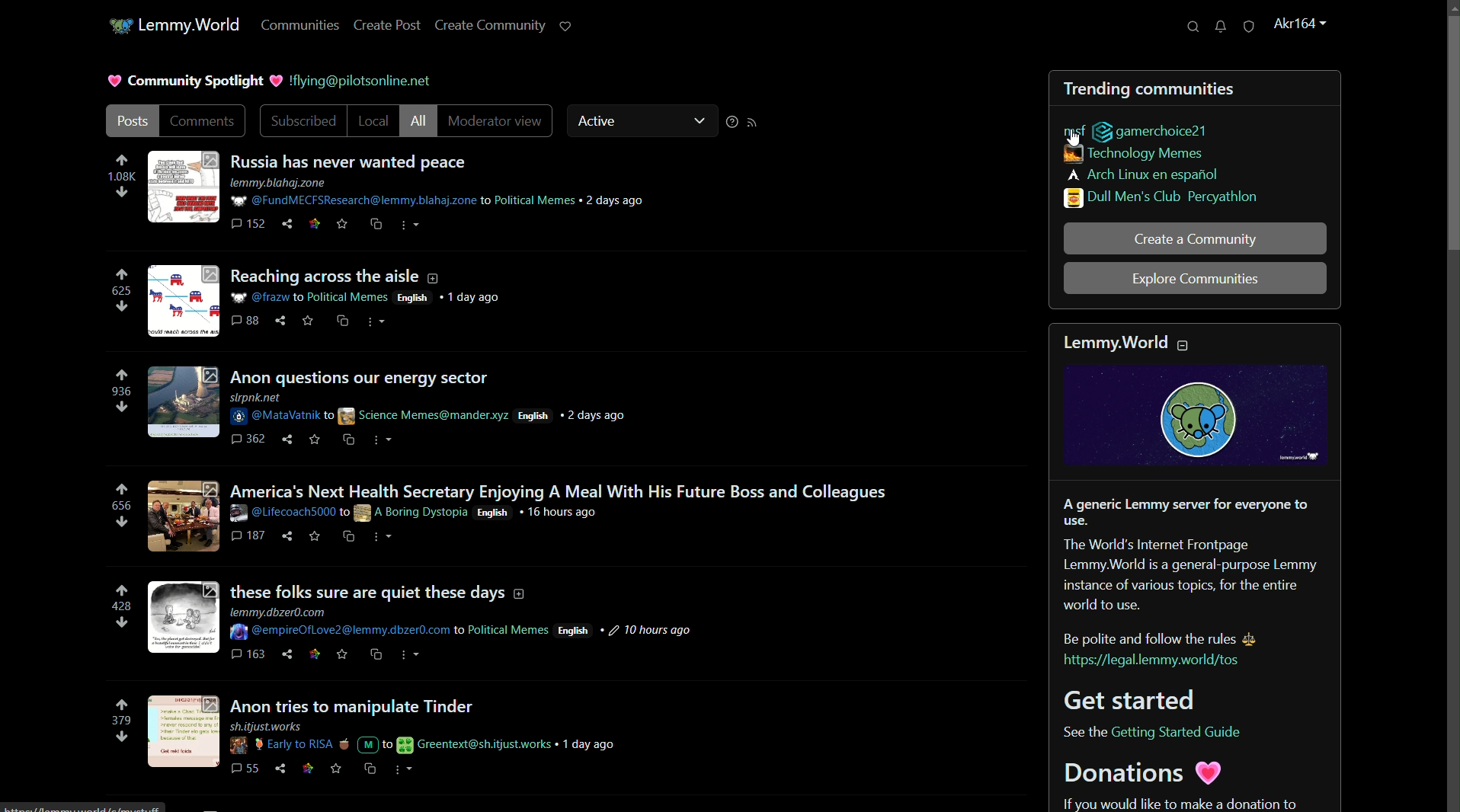  Describe the element at coordinates (1197, 570) in the screenshot. I see `about lemmy.world` at that location.